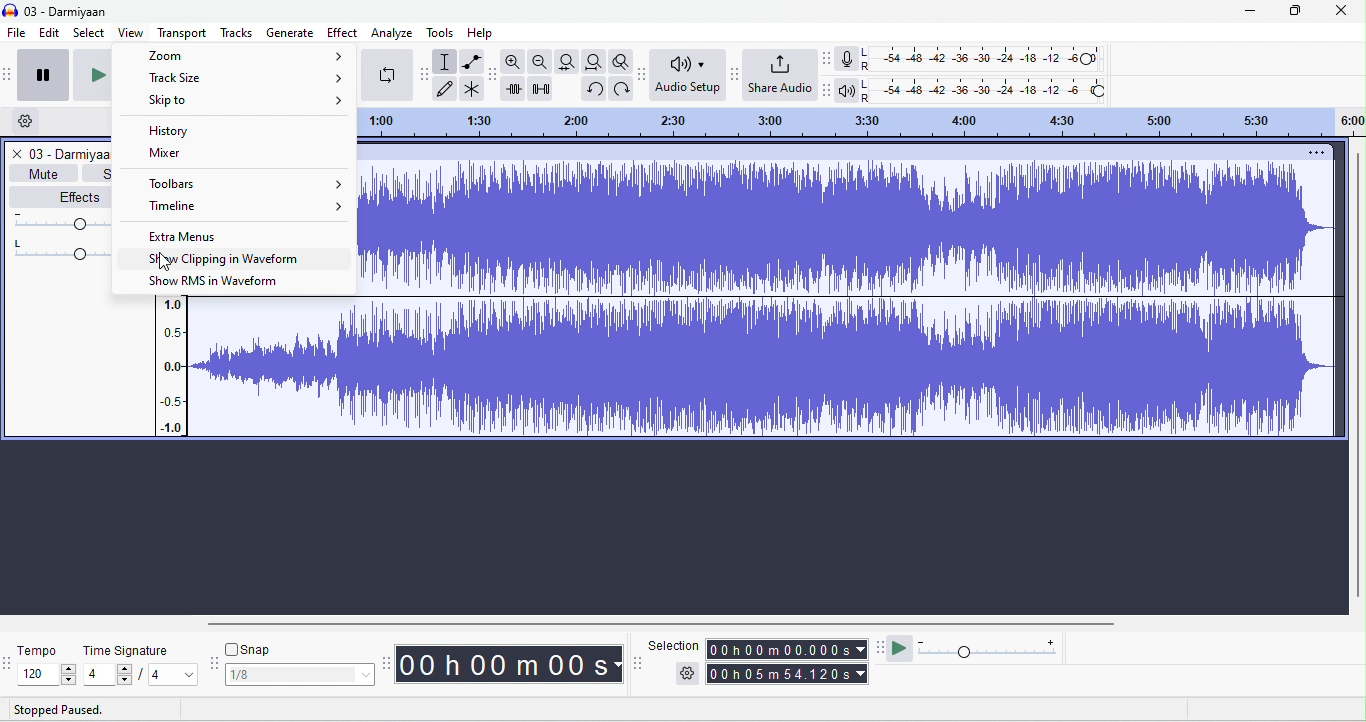 This screenshot has height=722, width=1366. What do you see at coordinates (213, 663) in the screenshot?
I see `snap toolbar` at bounding box center [213, 663].